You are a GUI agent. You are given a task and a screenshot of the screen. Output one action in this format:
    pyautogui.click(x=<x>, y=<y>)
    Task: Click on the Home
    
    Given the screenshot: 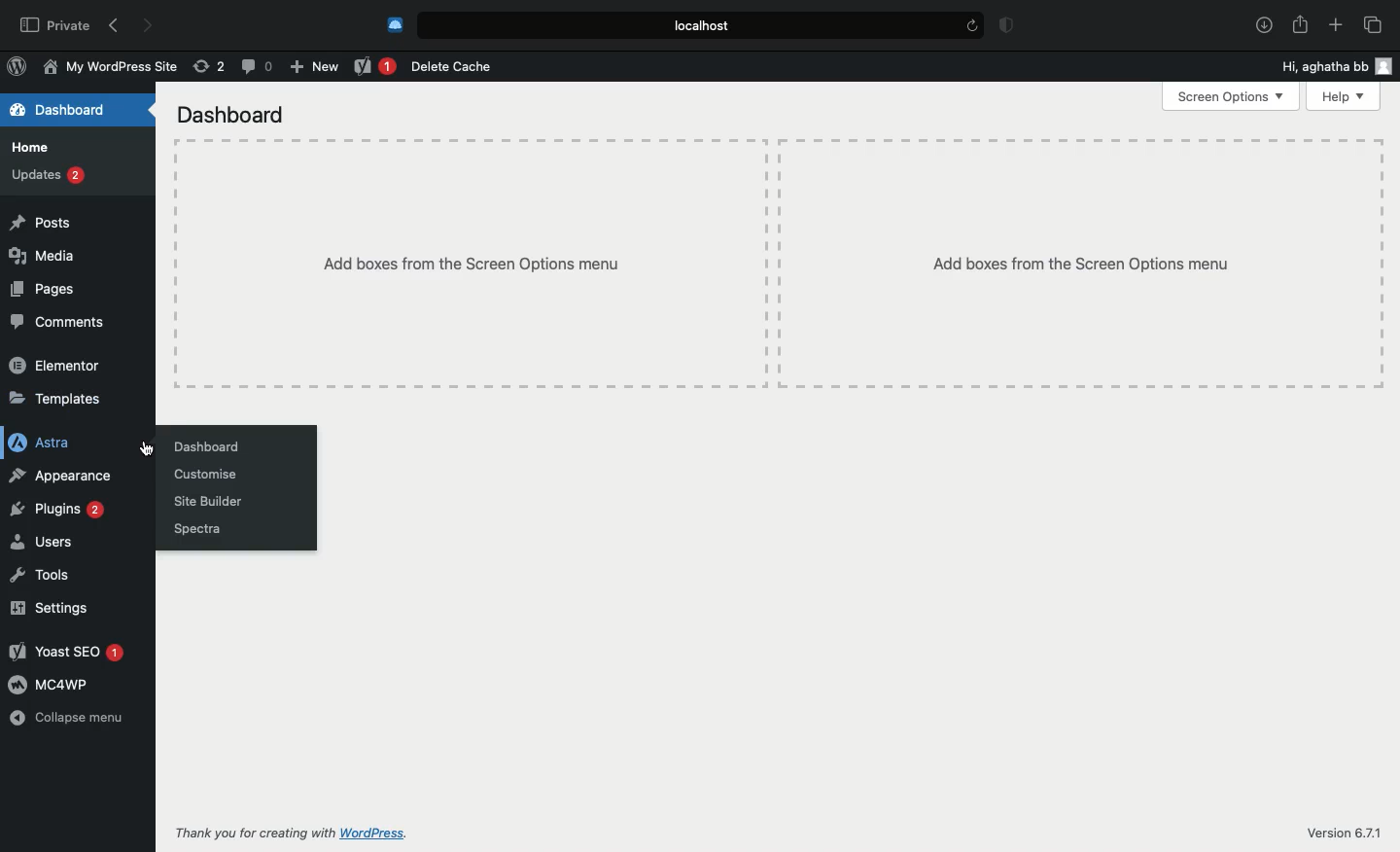 What is the action you would take?
    pyautogui.click(x=33, y=148)
    